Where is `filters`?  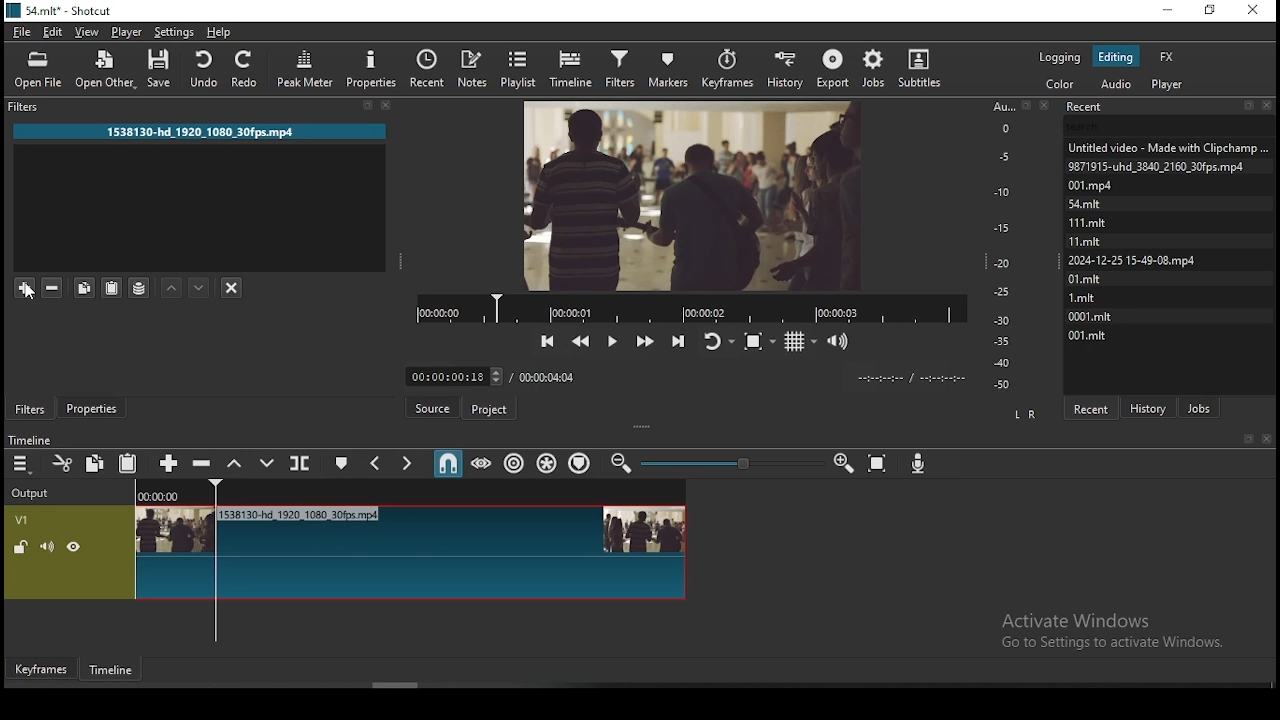
filters is located at coordinates (31, 408).